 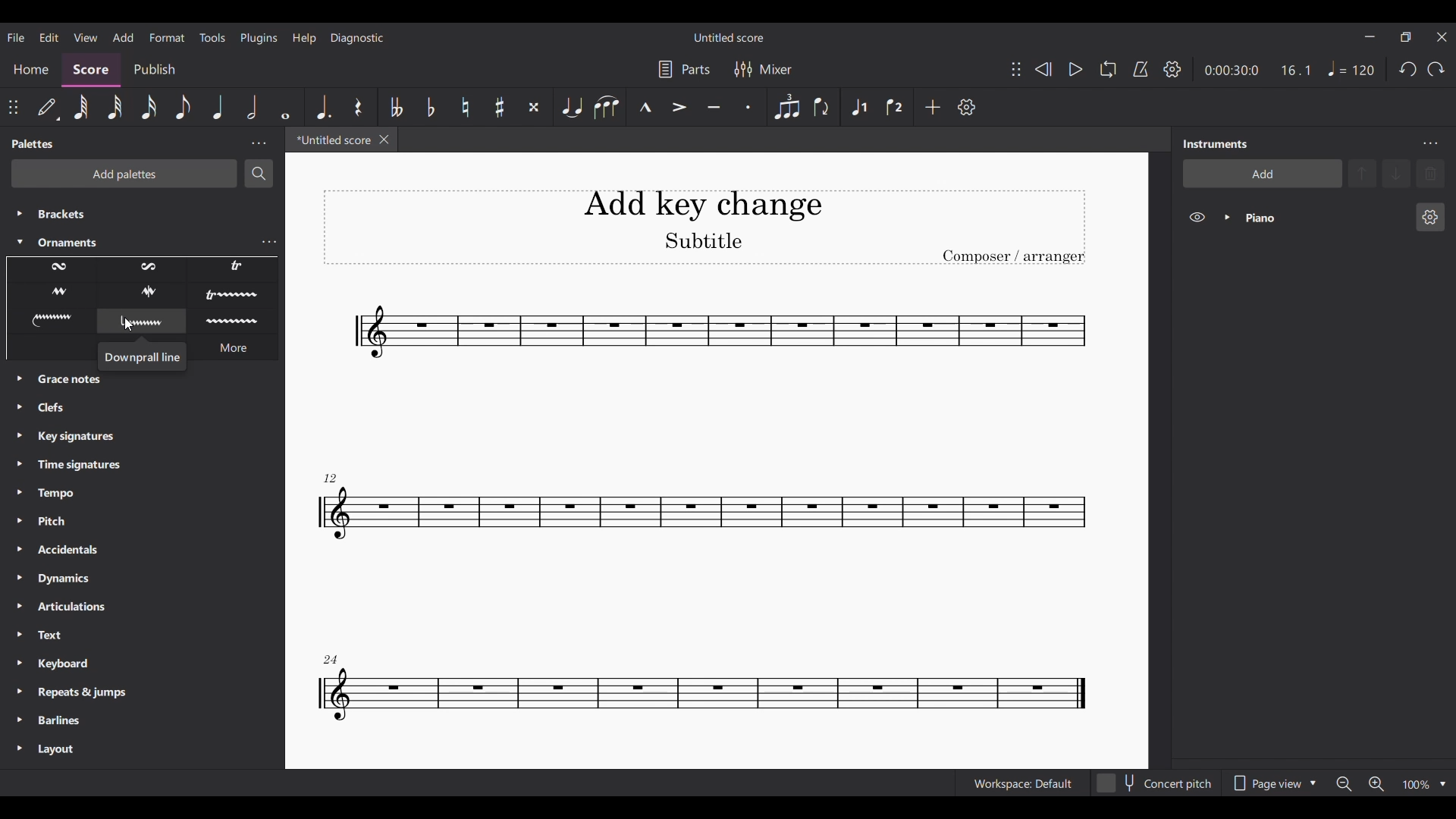 What do you see at coordinates (1443, 784) in the screenshot?
I see `Zoom options` at bounding box center [1443, 784].